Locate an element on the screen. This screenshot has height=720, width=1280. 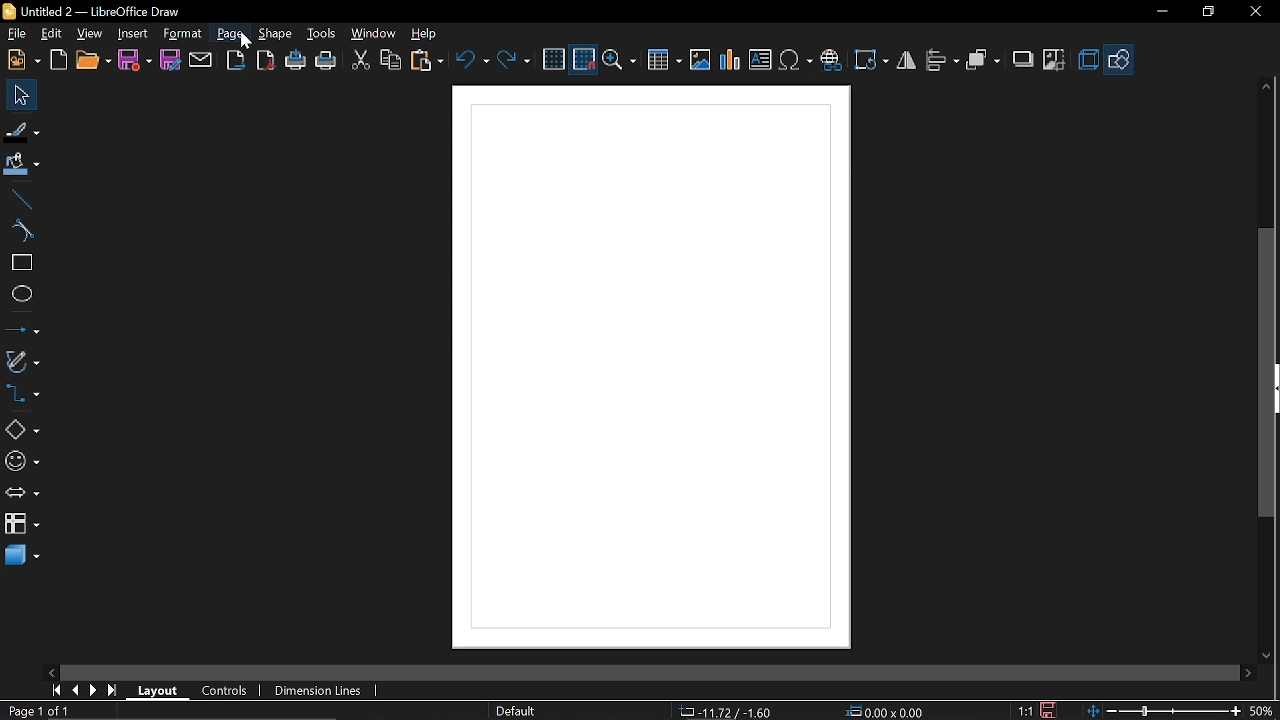
Select is located at coordinates (22, 95).